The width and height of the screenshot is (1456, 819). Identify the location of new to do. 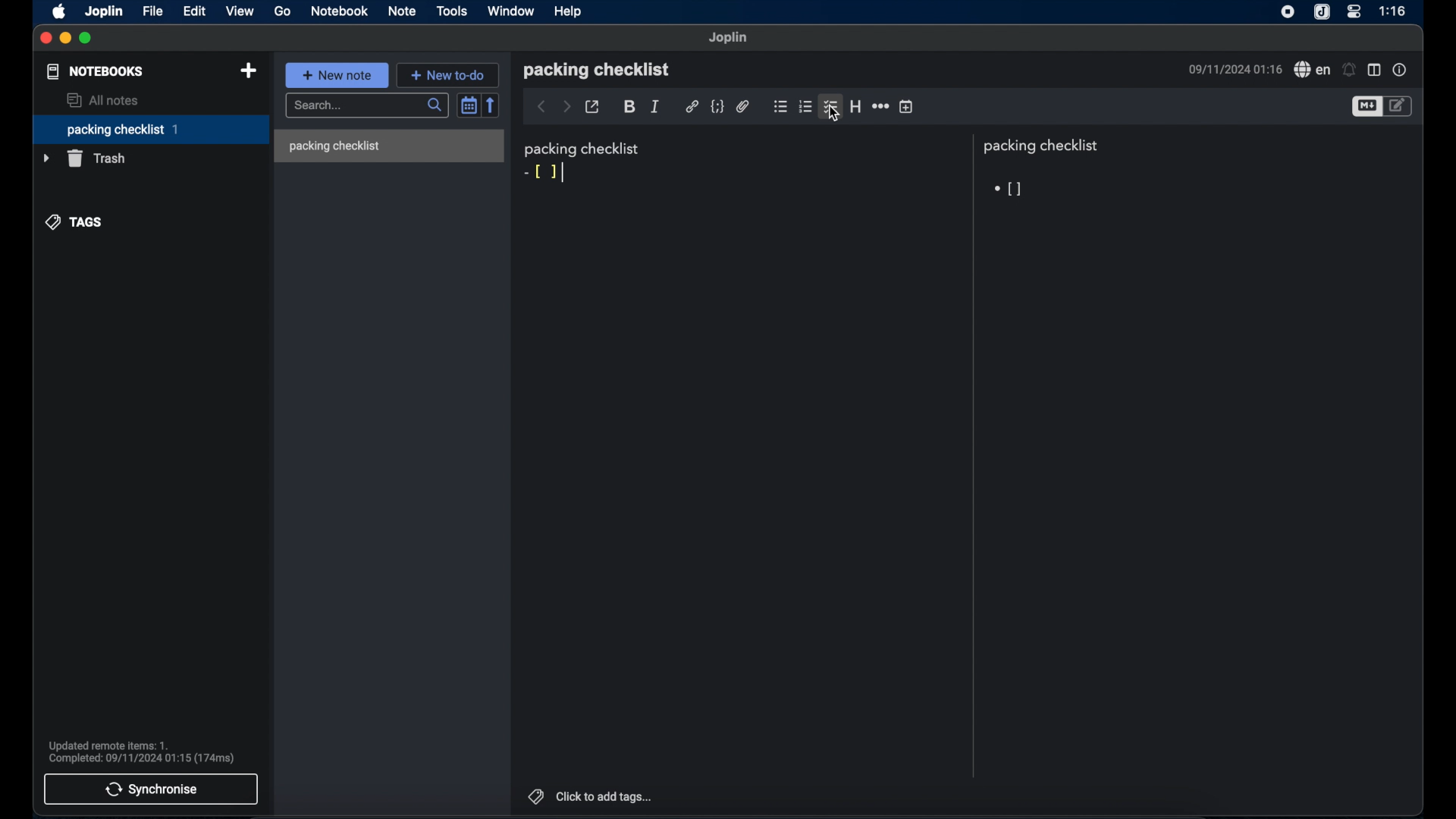
(448, 74).